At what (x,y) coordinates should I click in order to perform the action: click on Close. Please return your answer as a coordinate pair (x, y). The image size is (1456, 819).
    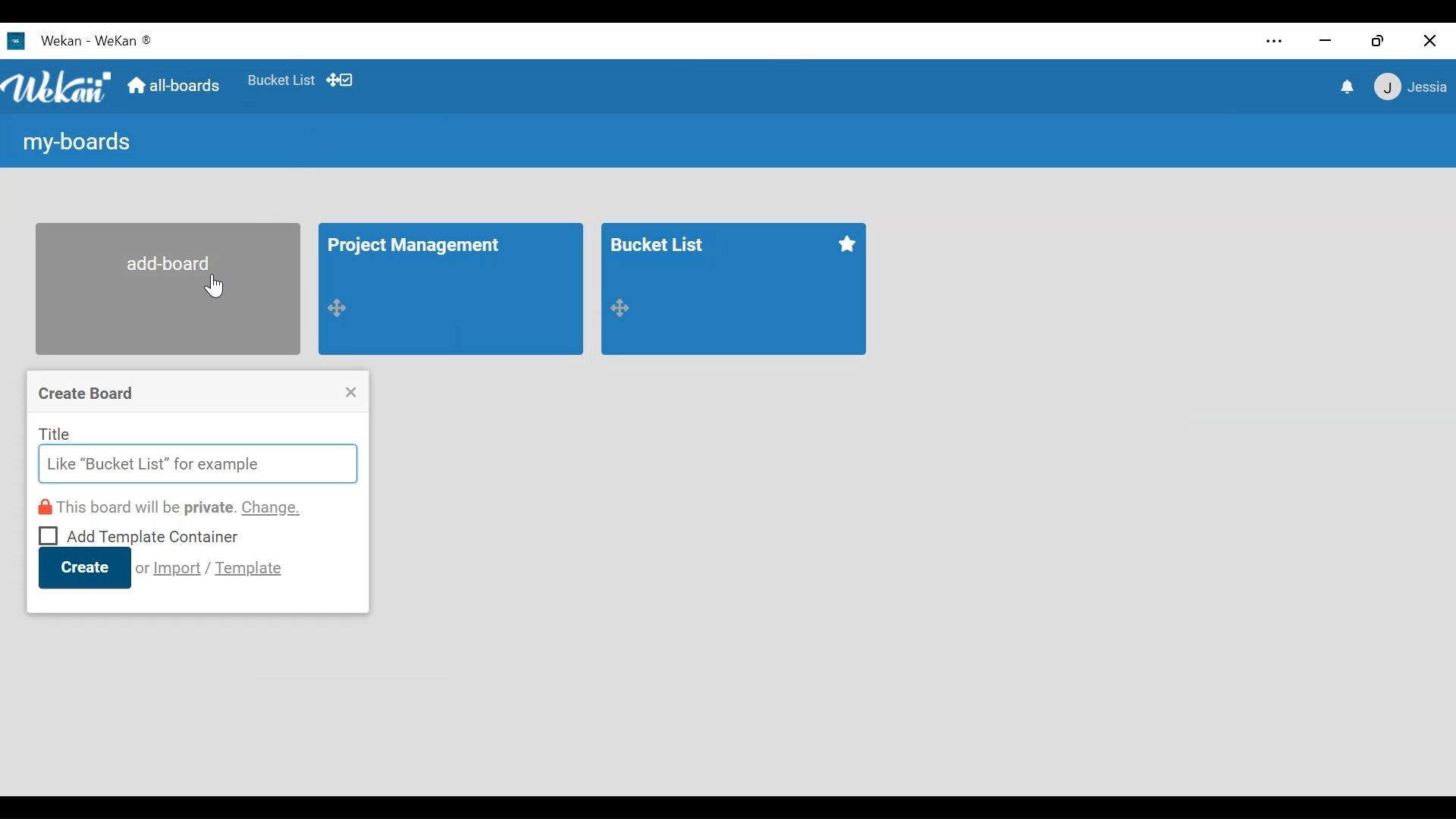
    Looking at the image, I should click on (351, 392).